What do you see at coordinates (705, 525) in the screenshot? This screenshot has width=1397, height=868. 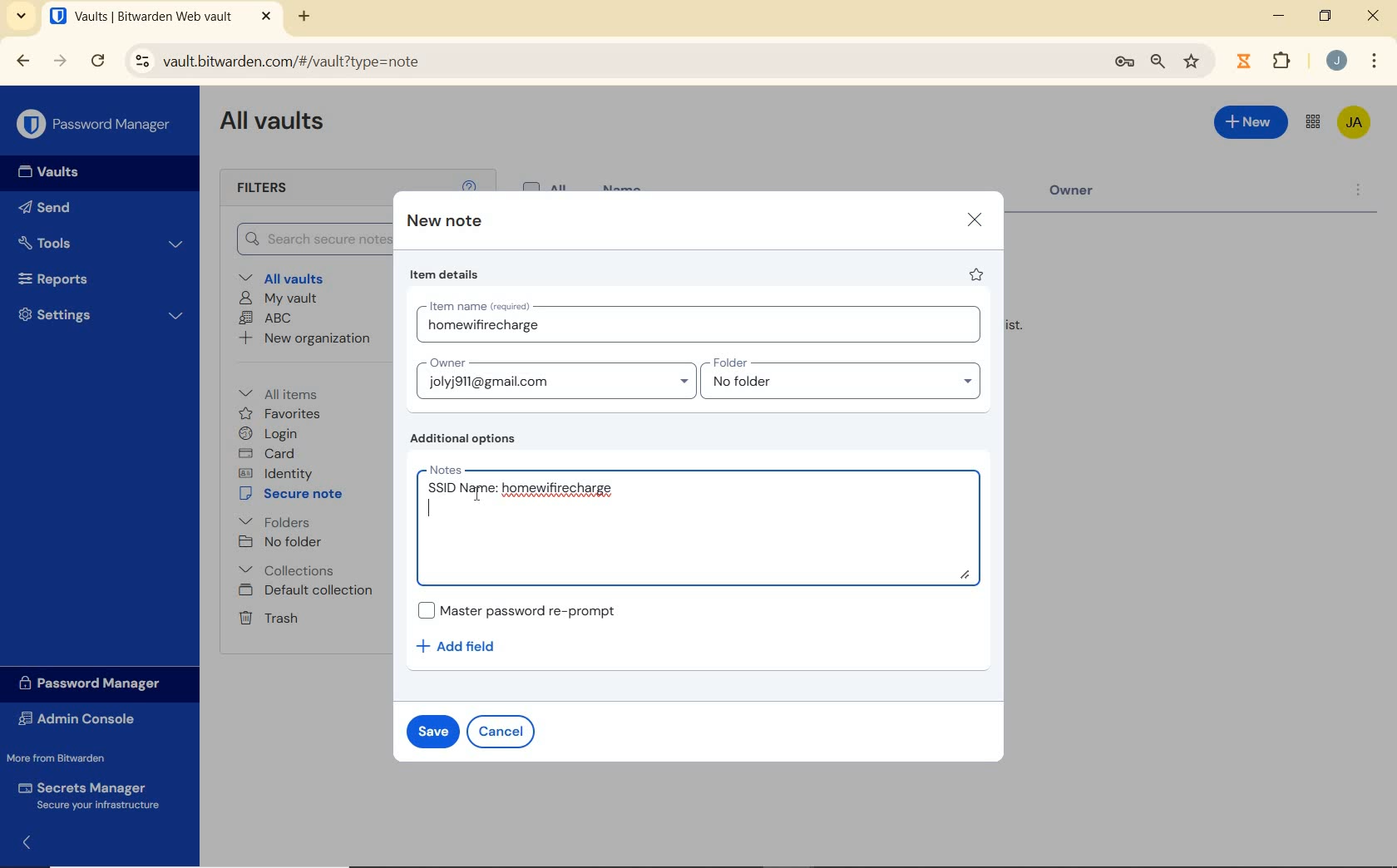 I see `notes` at bounding box center [705, 525].